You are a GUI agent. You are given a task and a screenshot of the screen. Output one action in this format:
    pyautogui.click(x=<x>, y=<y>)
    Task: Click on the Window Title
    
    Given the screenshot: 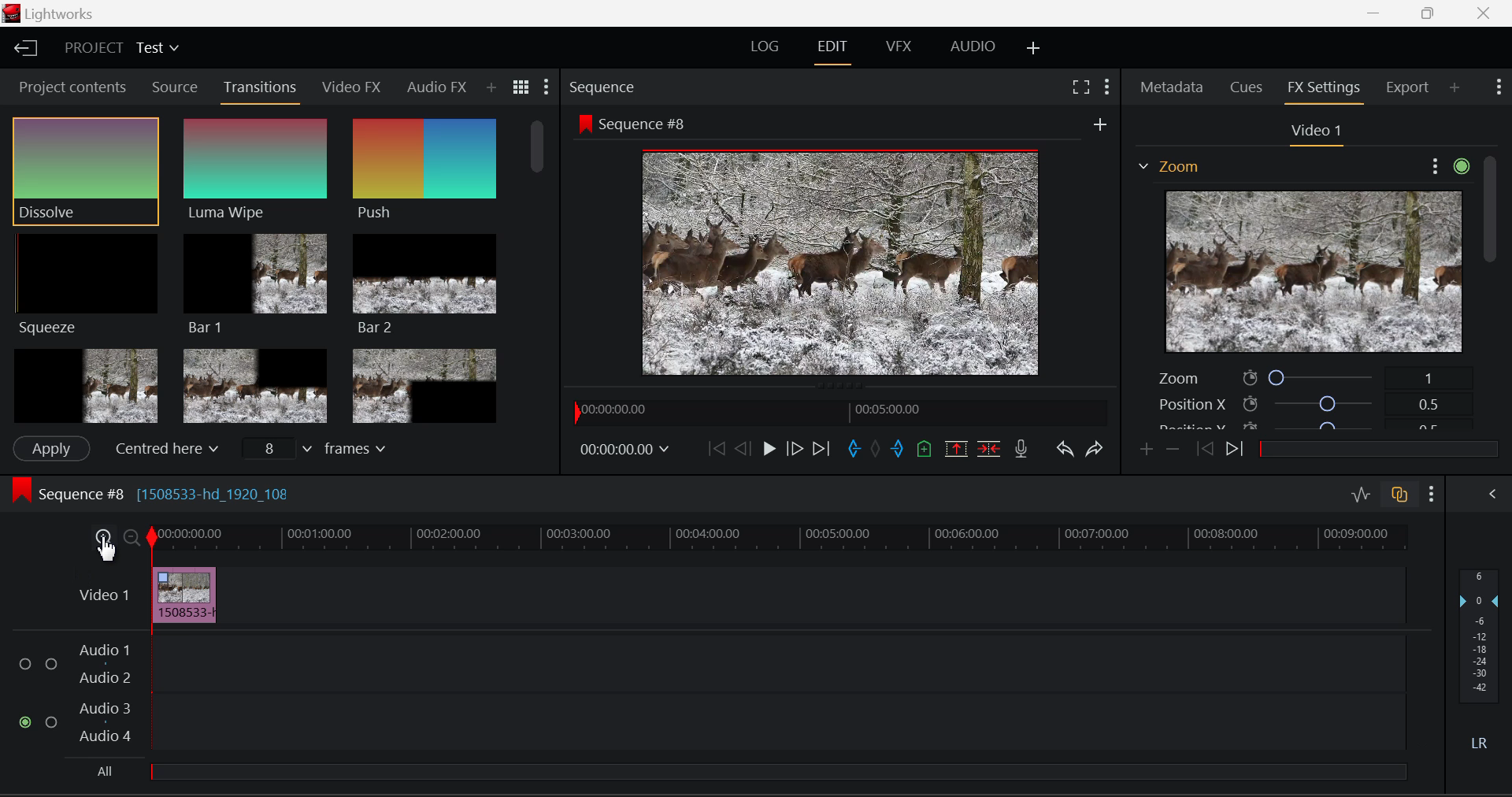 What is the action you would take?
    pyautogui.click(x=51, y=13)
    